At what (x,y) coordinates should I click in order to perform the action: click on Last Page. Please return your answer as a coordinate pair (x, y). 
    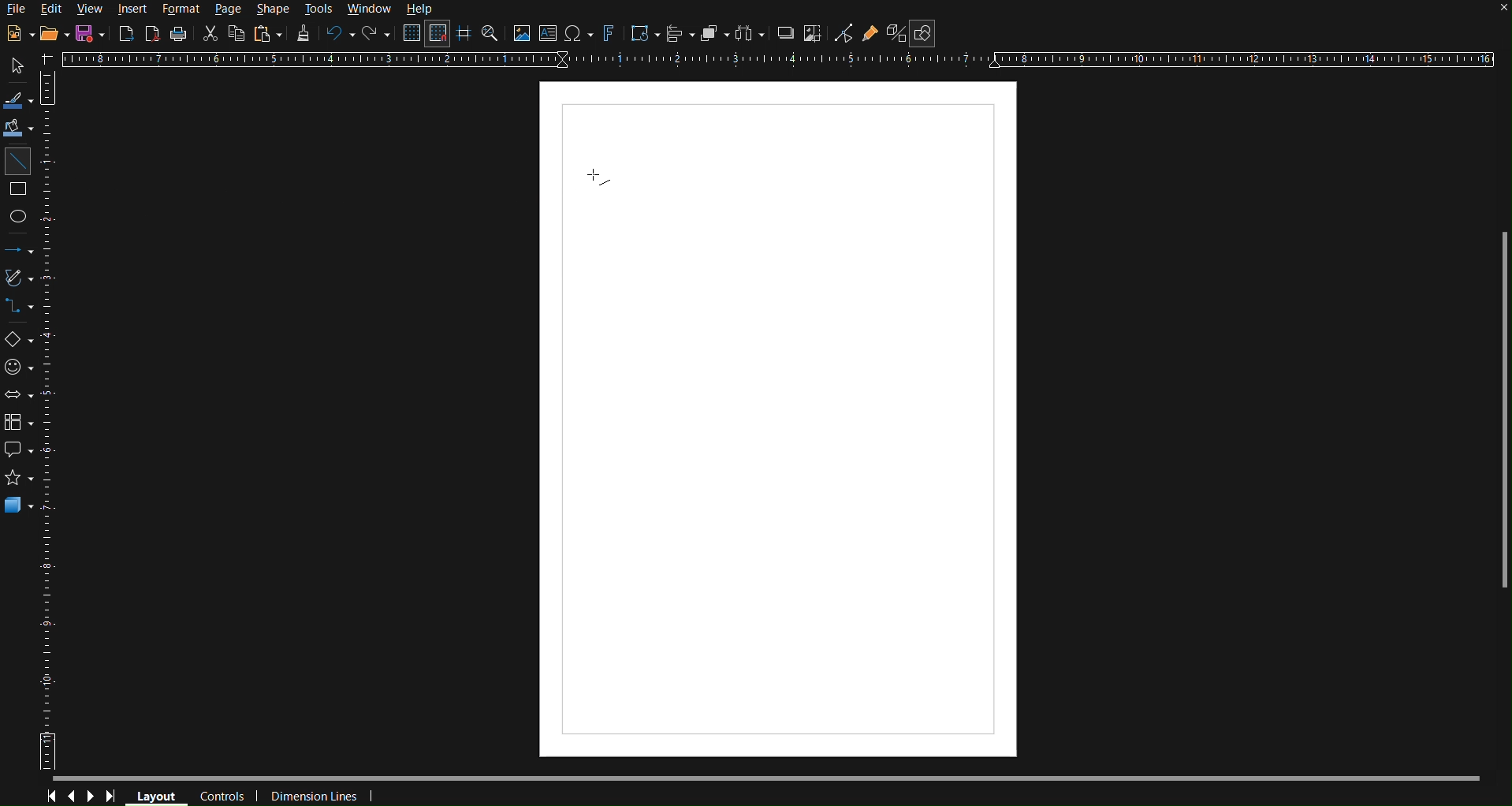
    Looking at the image, I should click on (115, 796).